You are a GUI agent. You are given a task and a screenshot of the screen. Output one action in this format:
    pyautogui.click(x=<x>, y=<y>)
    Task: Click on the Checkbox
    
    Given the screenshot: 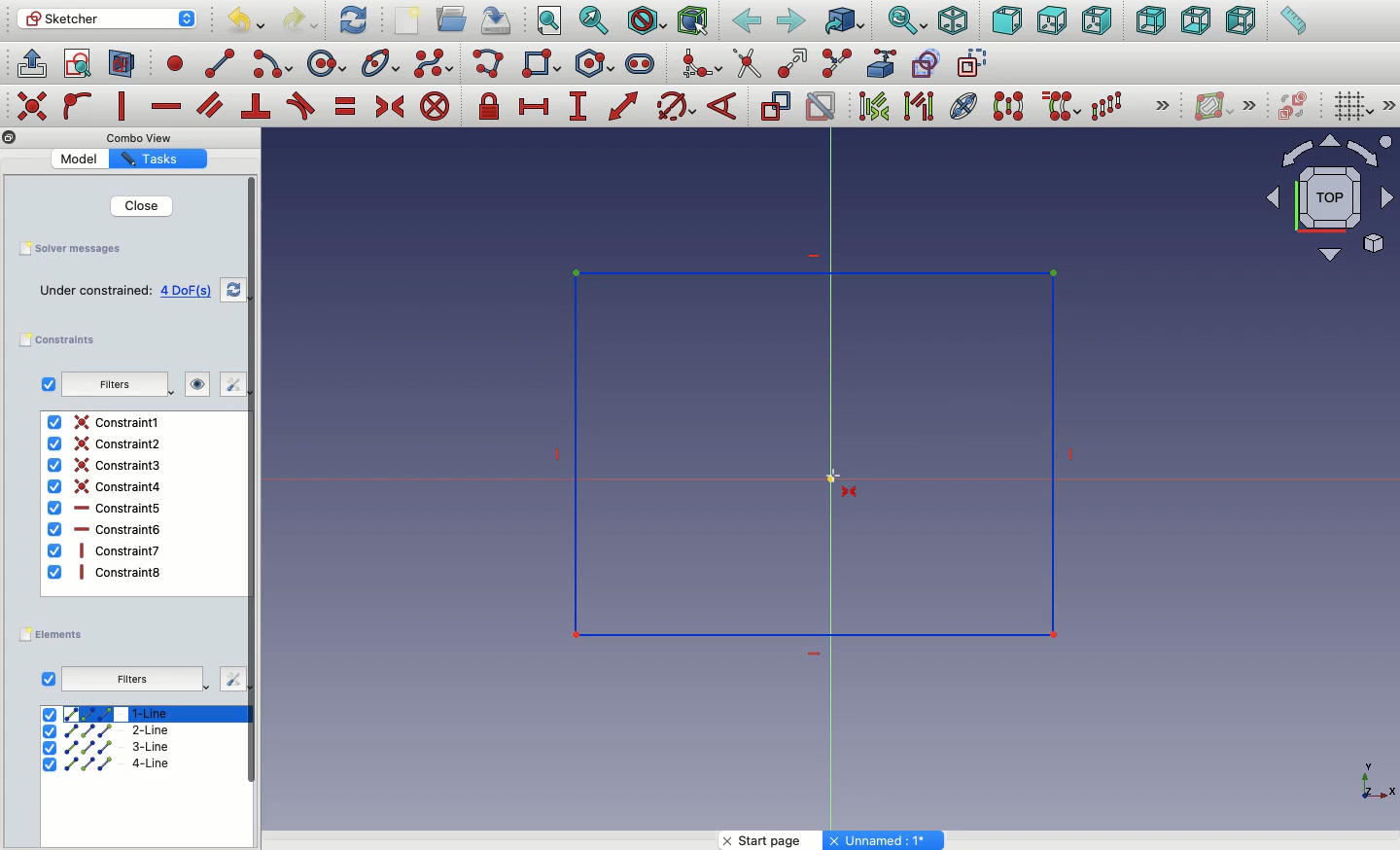 What is the action you would take?
    pyautogui.click(x=49, y=680)
    